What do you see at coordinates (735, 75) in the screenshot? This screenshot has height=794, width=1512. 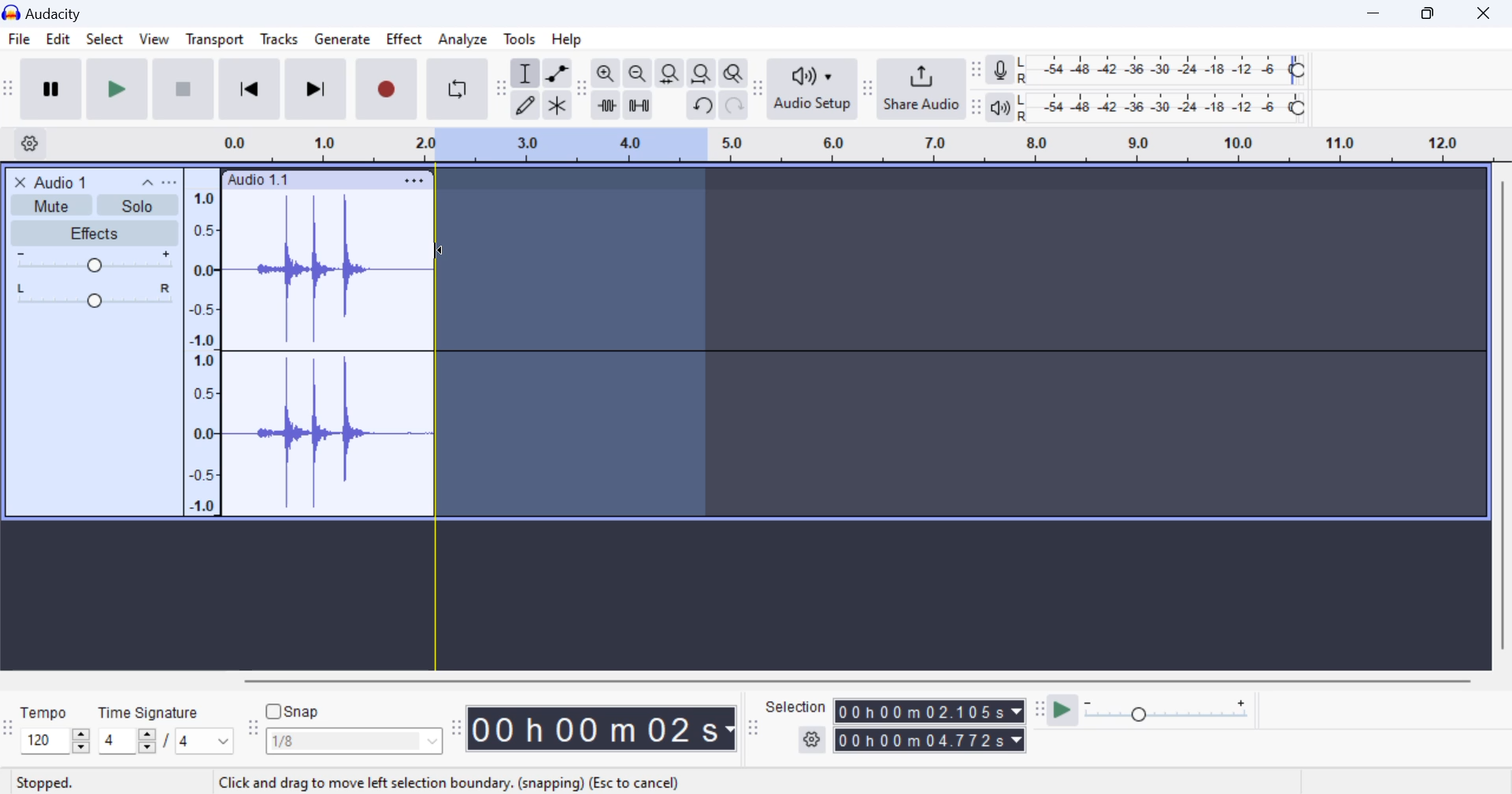 I see `zoom toggle` at bounding box center [735, 75].